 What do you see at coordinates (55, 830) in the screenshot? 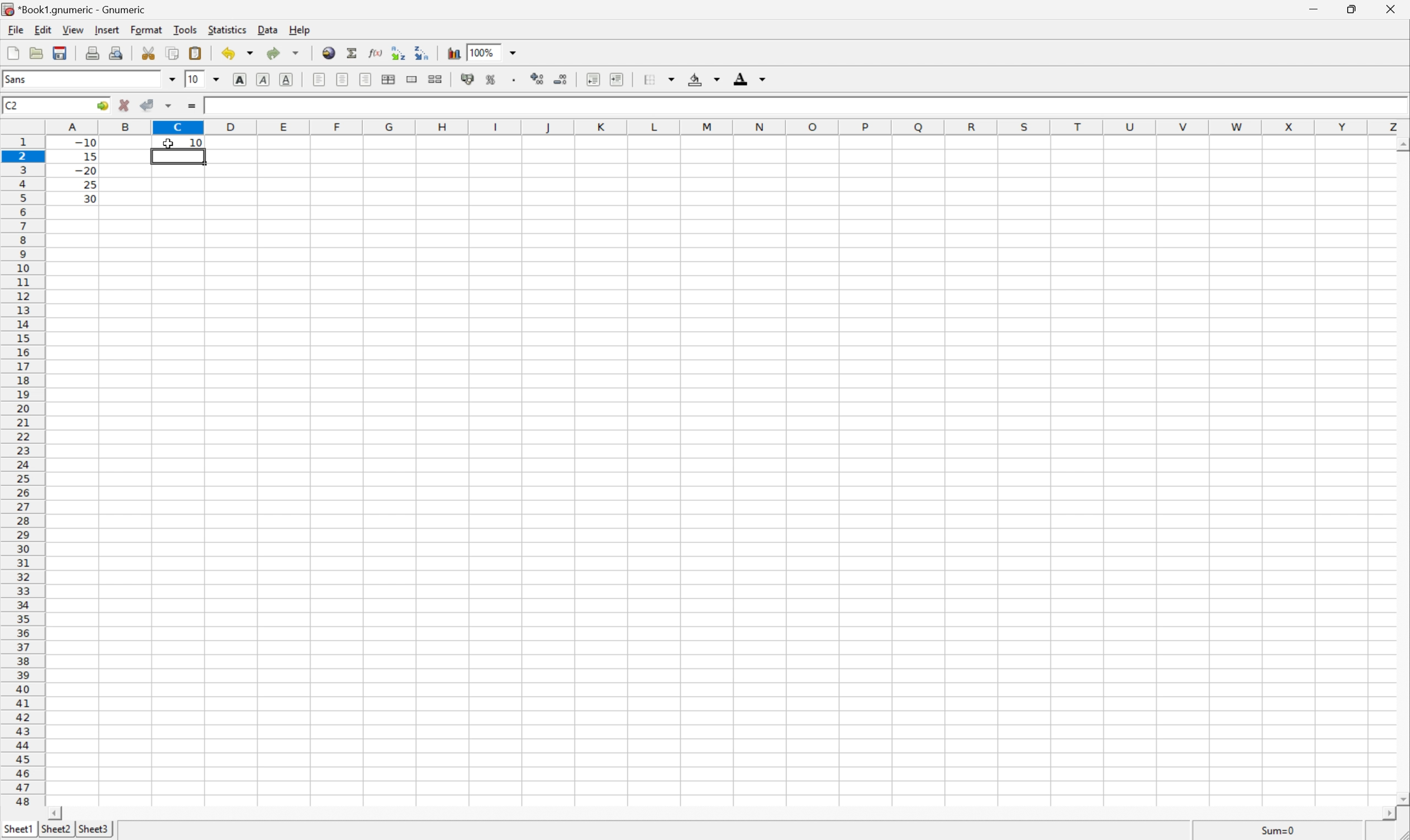
I see `sheet2` at bounding box center [55, 830].